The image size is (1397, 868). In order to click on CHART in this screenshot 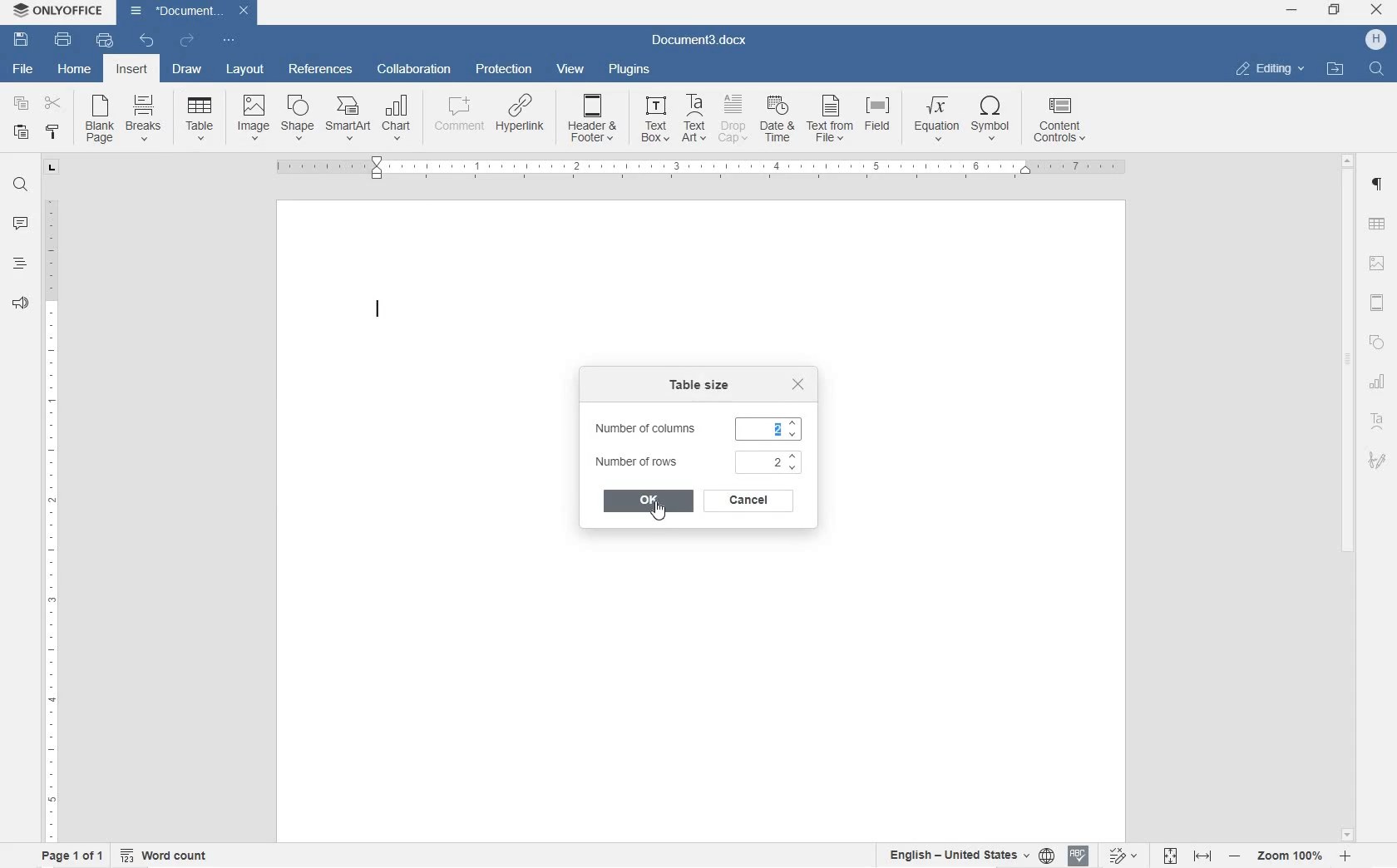, I will do `click(1379, 384)`.